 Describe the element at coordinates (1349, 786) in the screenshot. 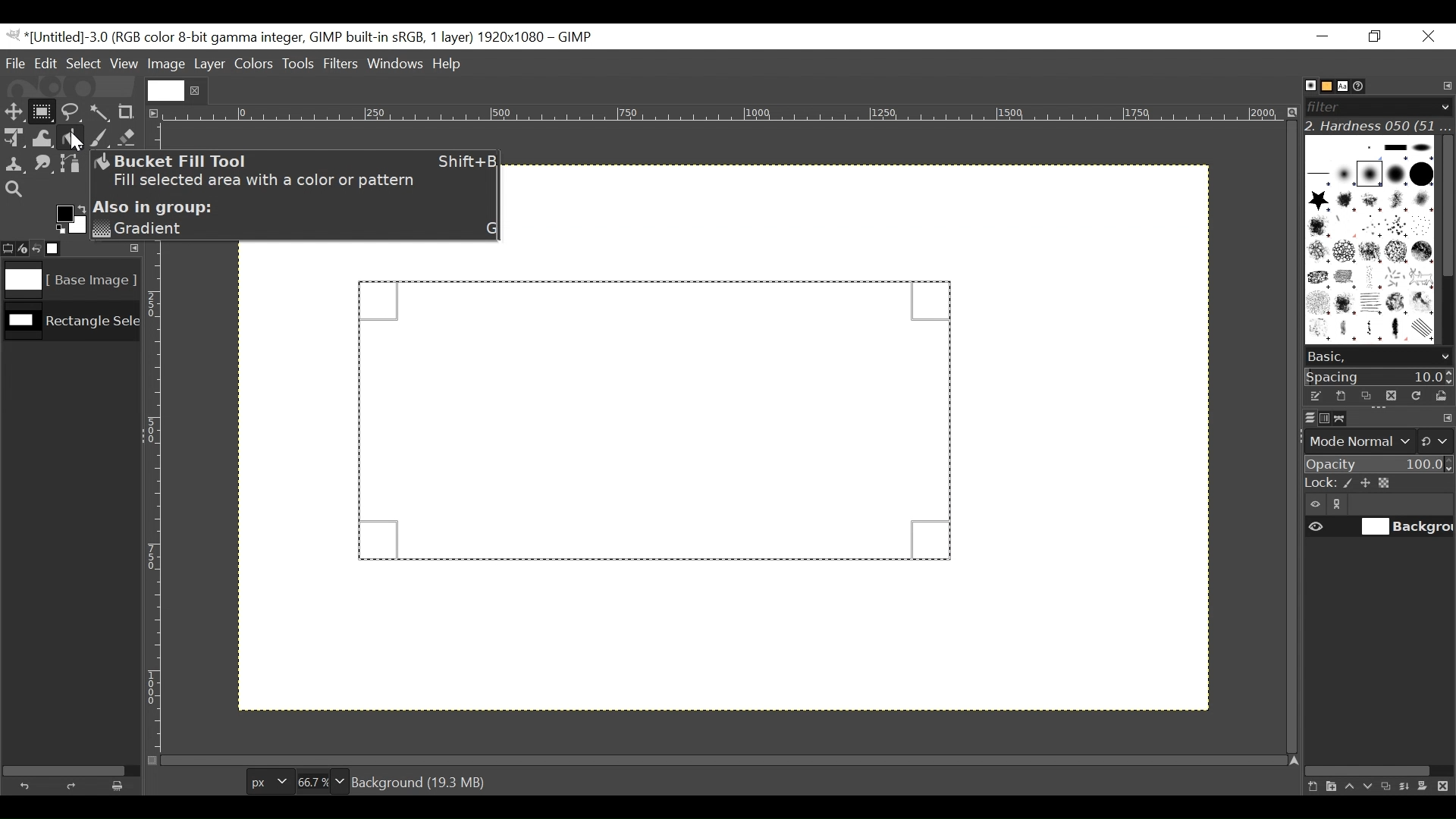

I see `Raise the layer` at that location.